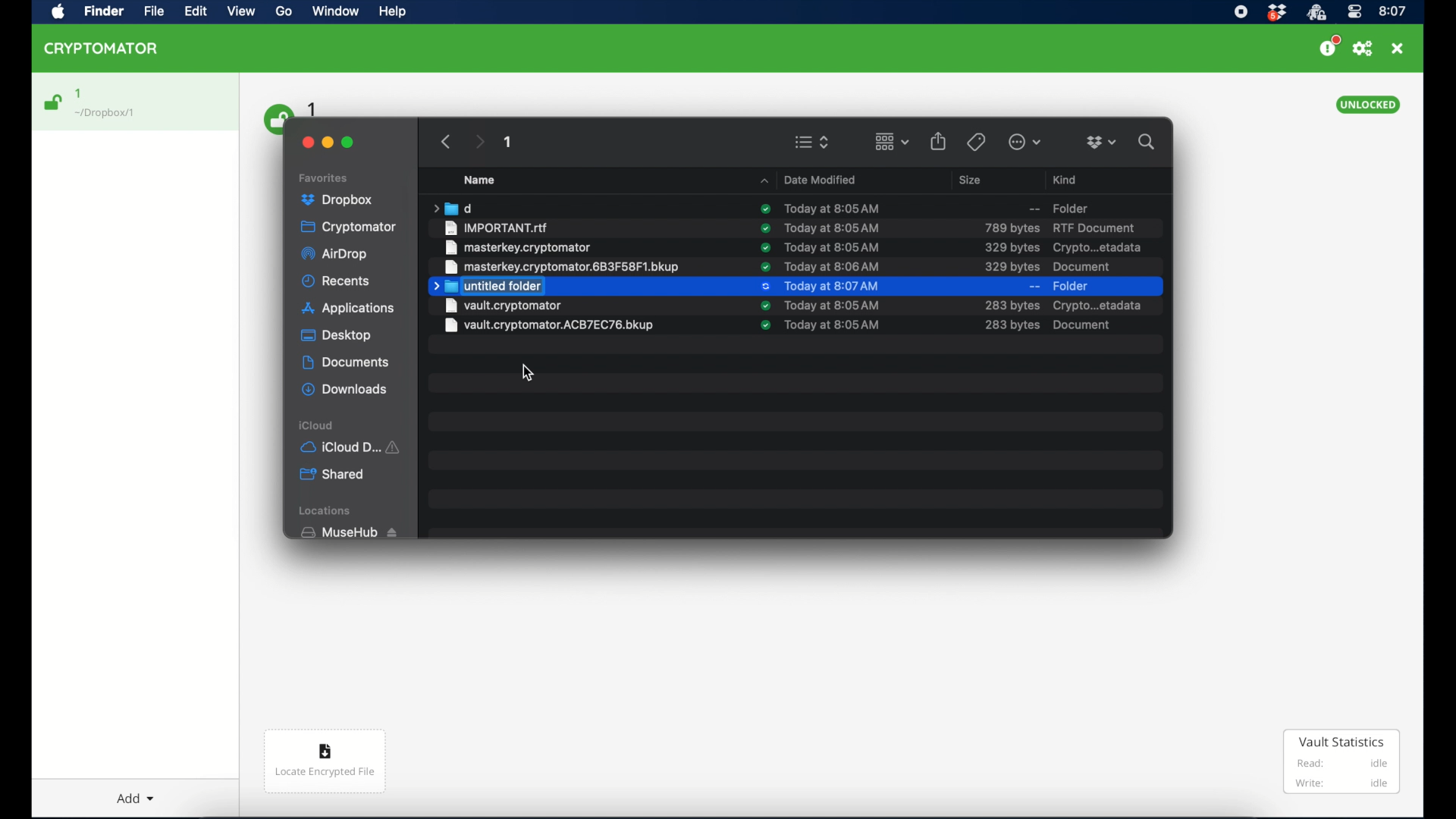  I want to click on shared, so click(334, 475).